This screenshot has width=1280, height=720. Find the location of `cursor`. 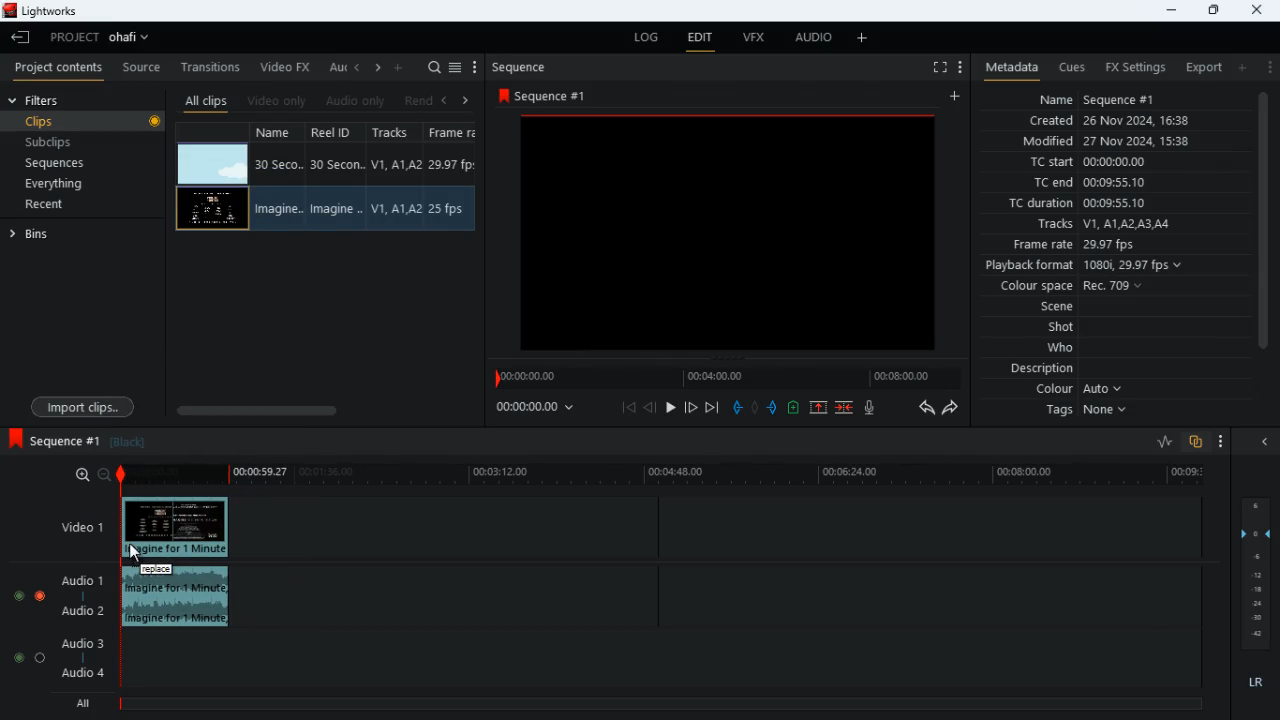

cursor is located at coordinates (137, 554).